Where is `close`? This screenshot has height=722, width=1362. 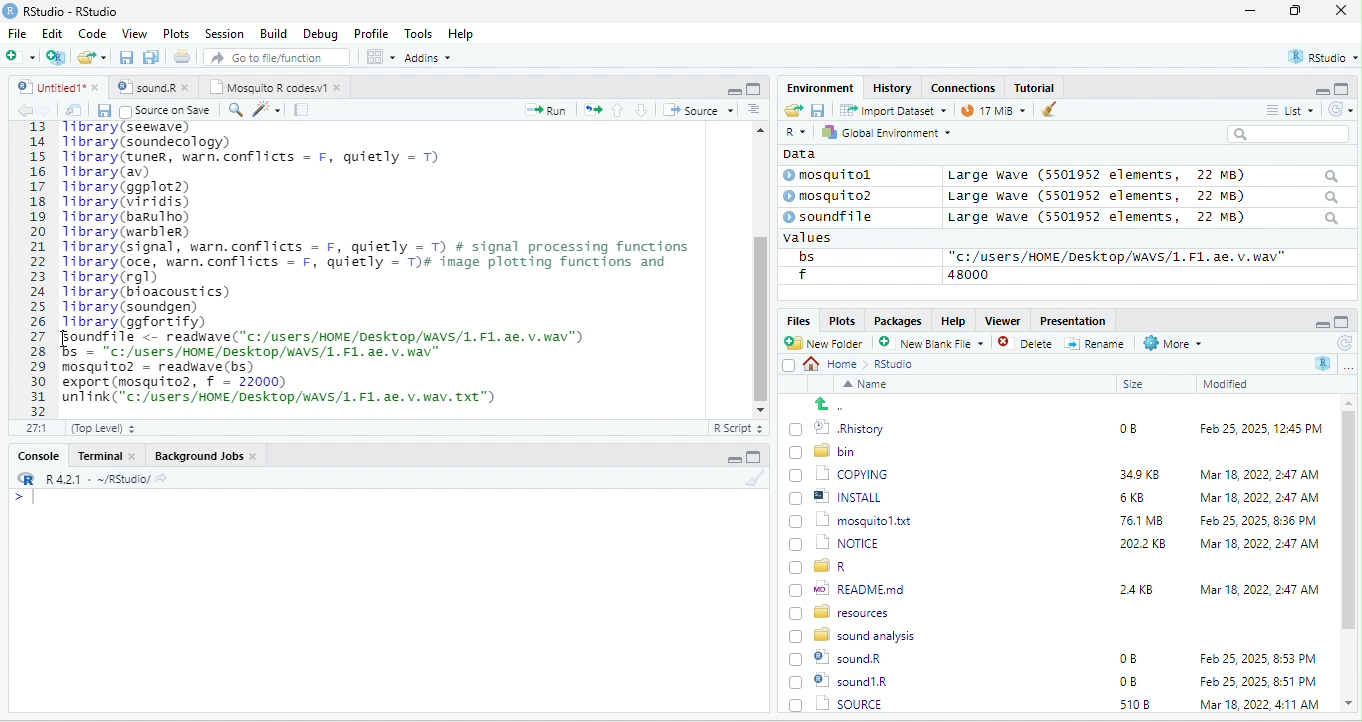 close is located at coordinates (1341, 12).